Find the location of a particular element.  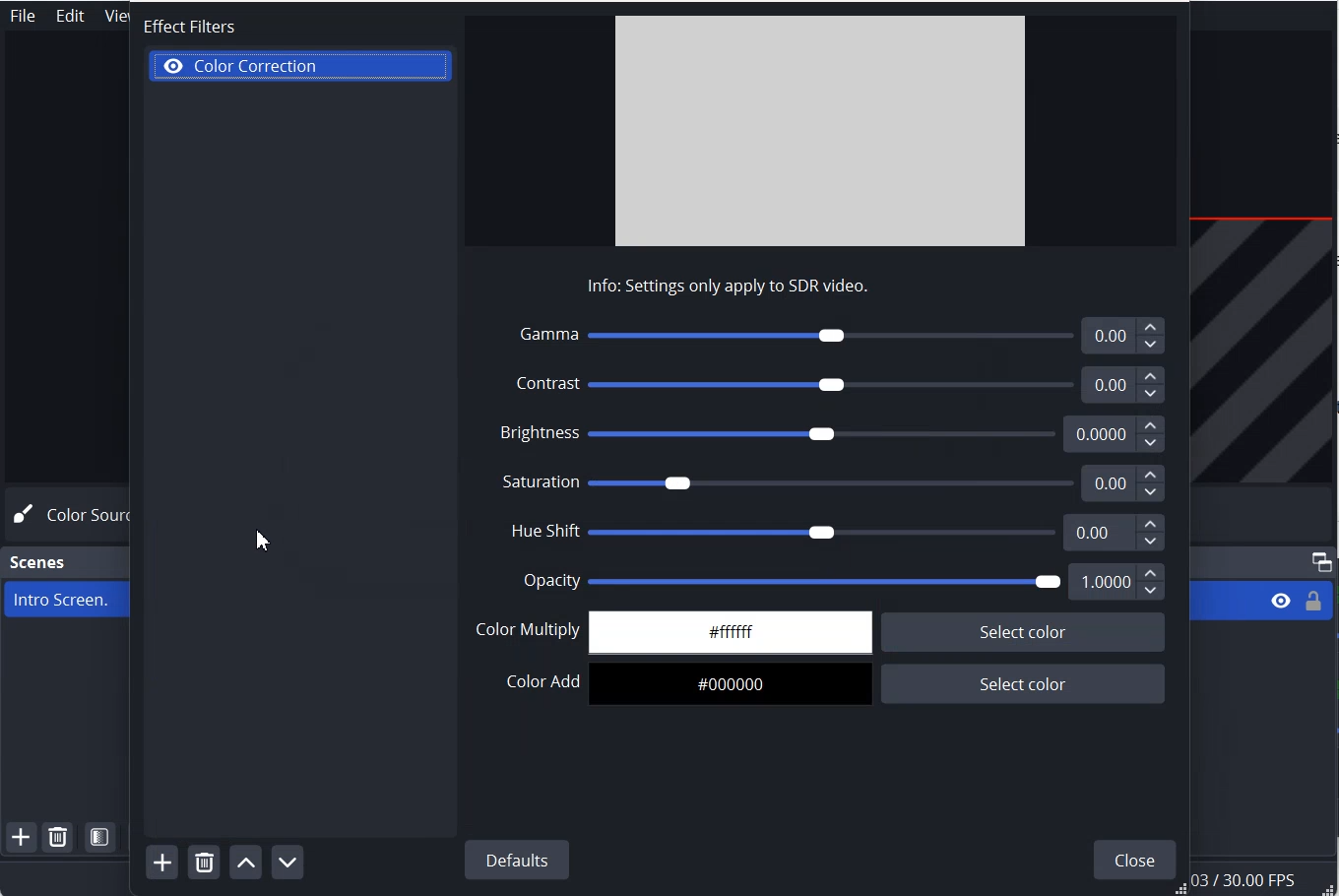

Remove selected filter is located at coordinates (204, 862).